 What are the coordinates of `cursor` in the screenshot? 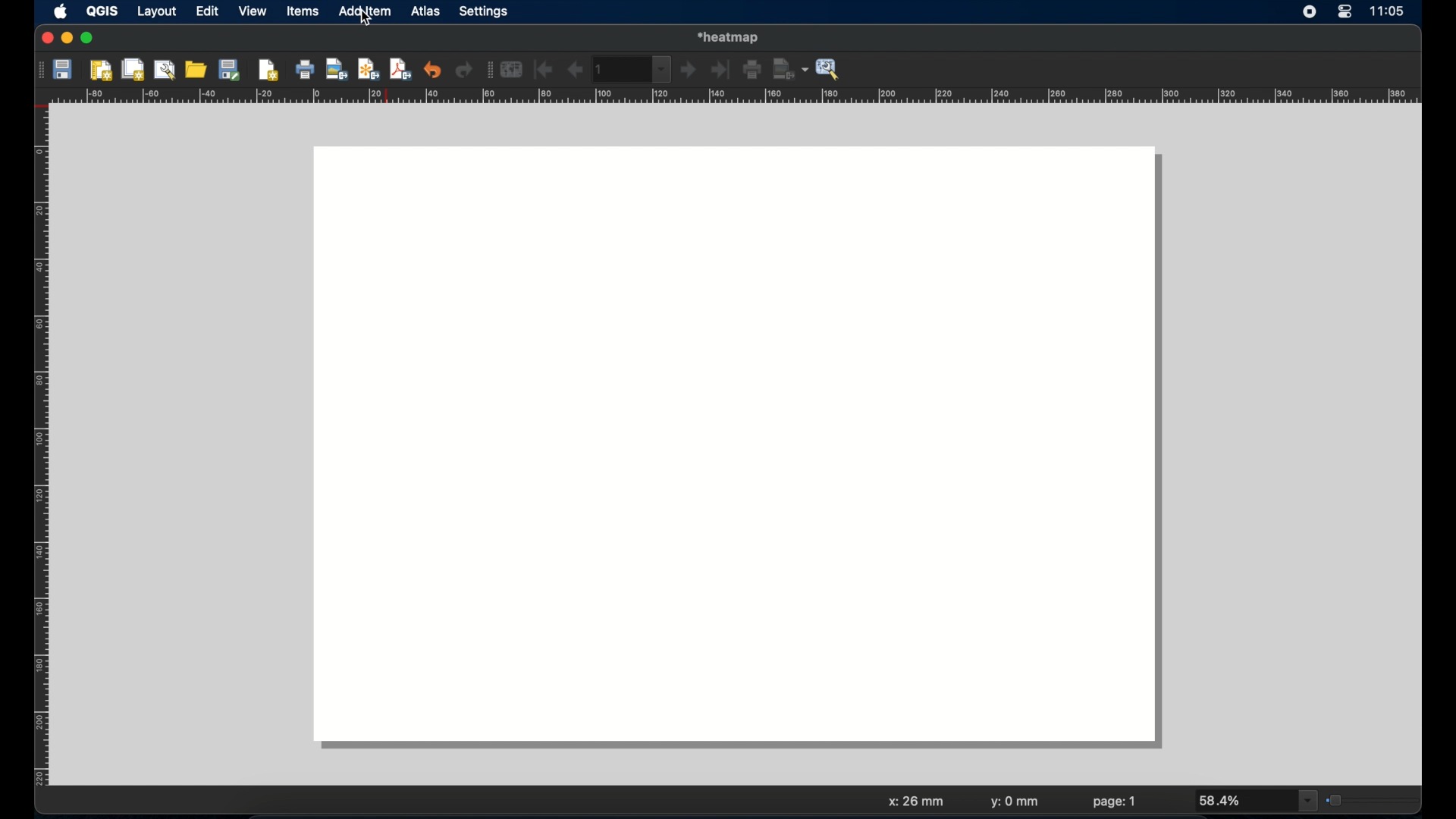 It's located at (366, 21).